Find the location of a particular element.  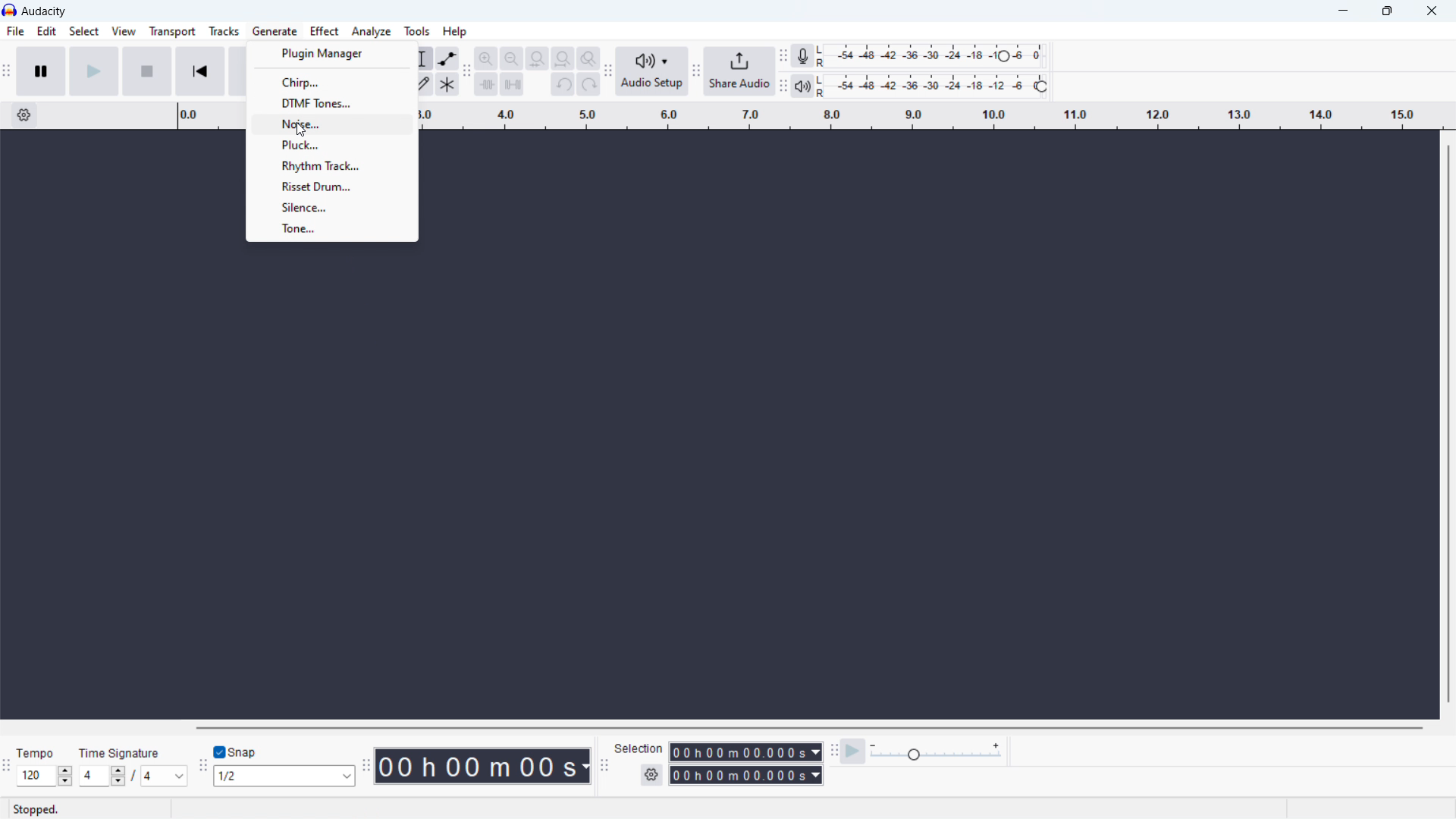

multi tool is located at coordinates (447, 84).